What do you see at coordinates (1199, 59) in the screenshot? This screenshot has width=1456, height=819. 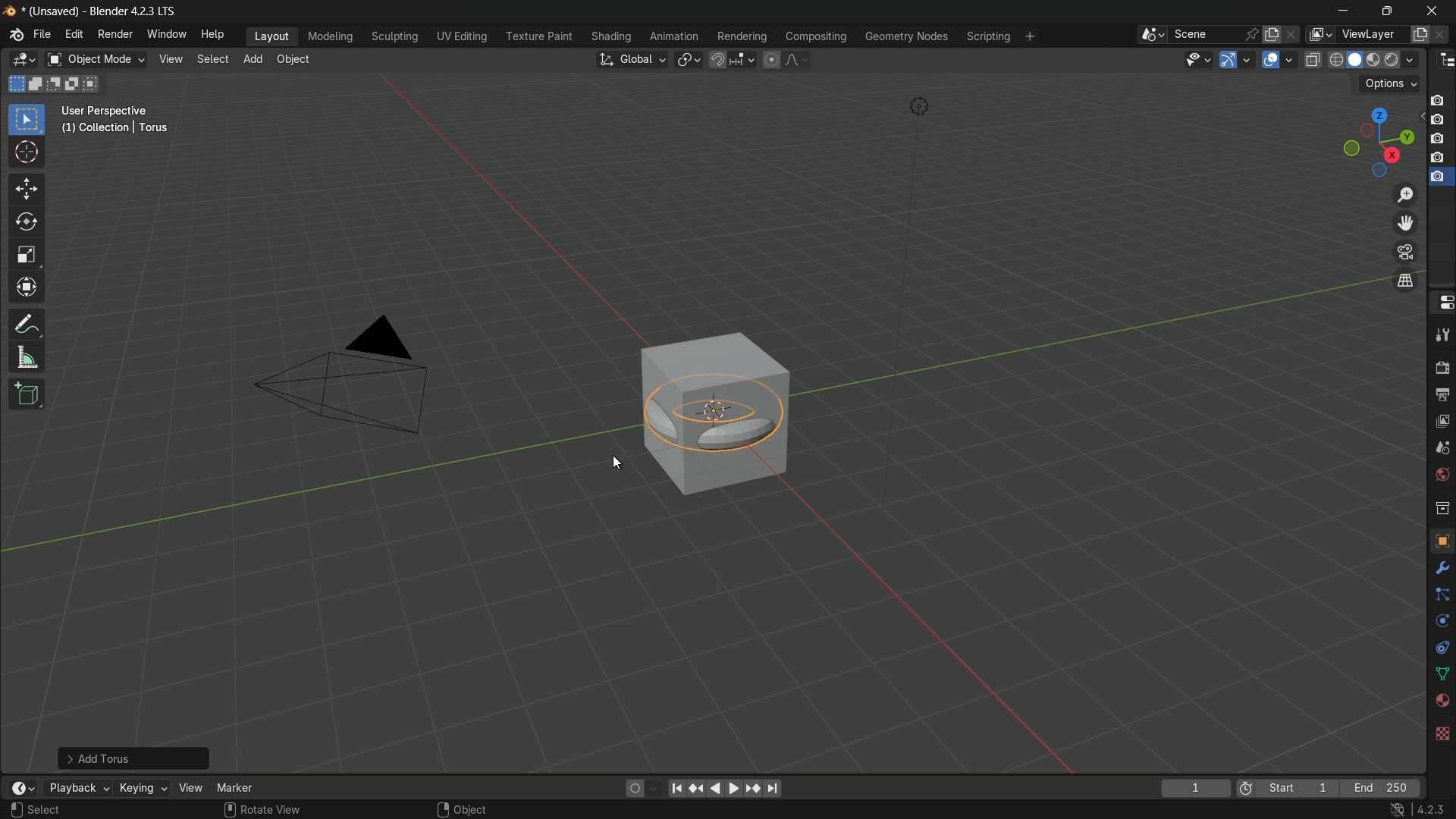 I see `selectability and visibility` at bounding box center [1199, 59].